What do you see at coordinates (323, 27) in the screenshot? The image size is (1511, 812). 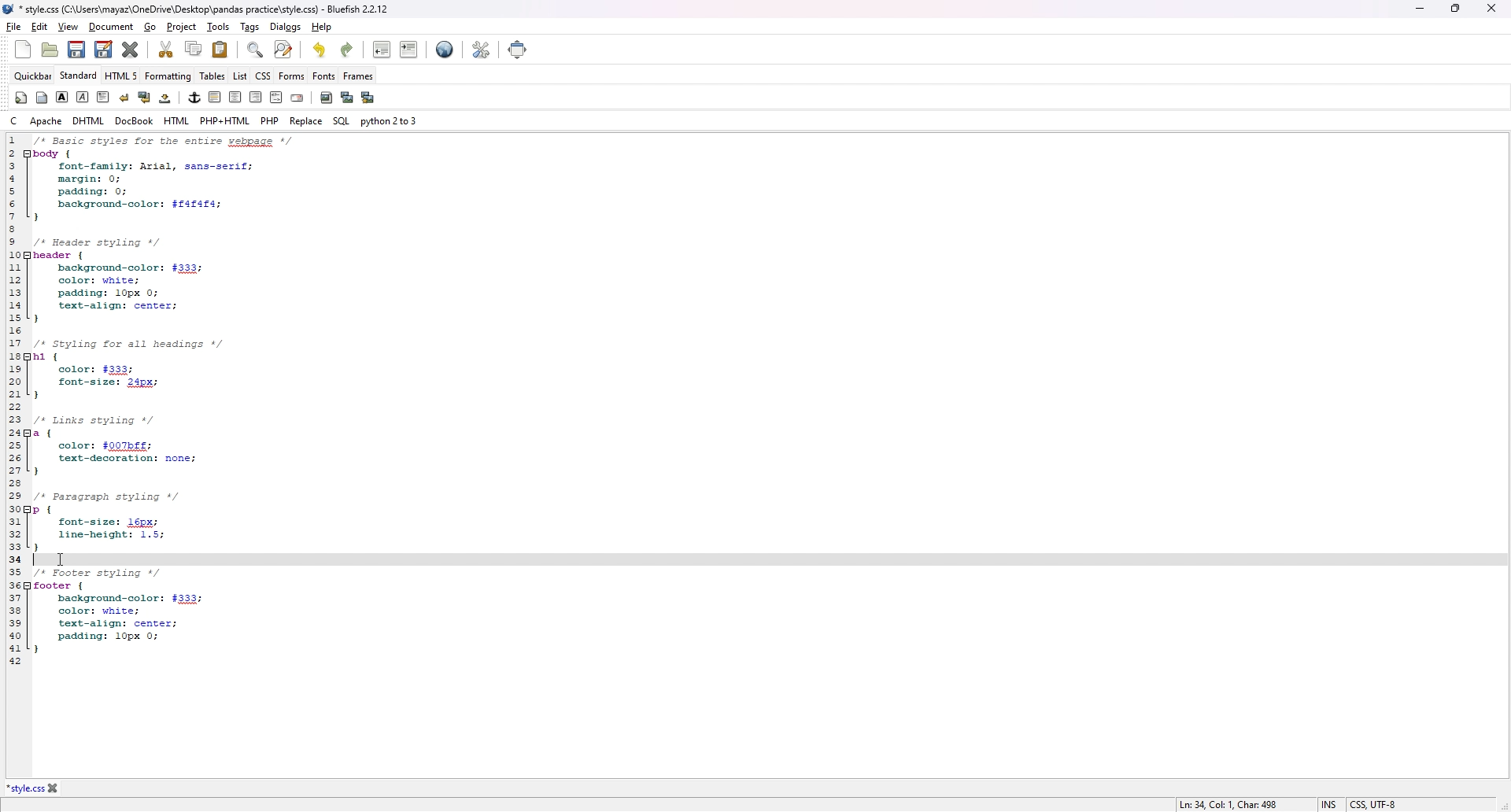 I see `help` at bounding box center [323, 27].